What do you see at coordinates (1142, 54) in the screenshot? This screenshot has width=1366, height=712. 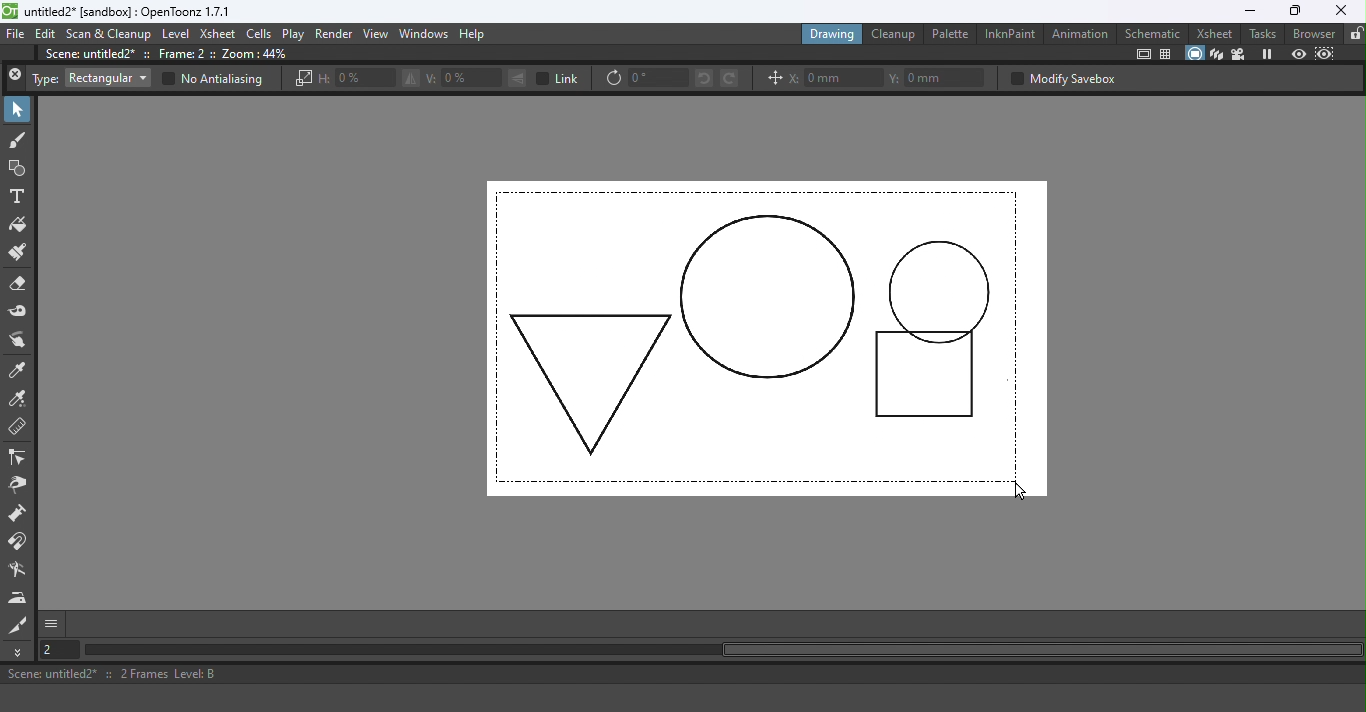 I see `Safe area` at bounding box center [1142, 54].